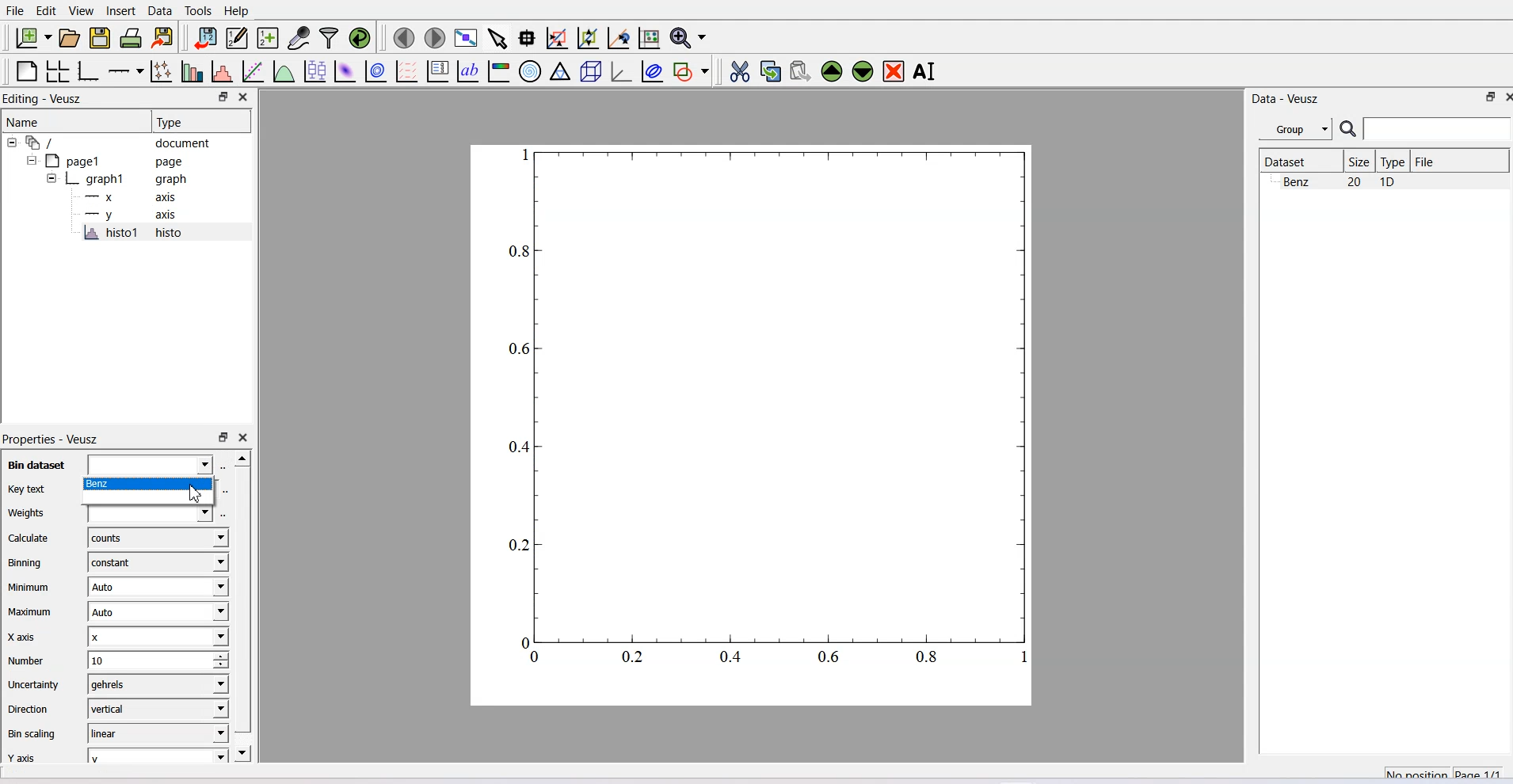  What do you see at coordinates (1340, 181) in the screenshot?
I see `Benz 20 10 ` at bounding box center [1340, 181].